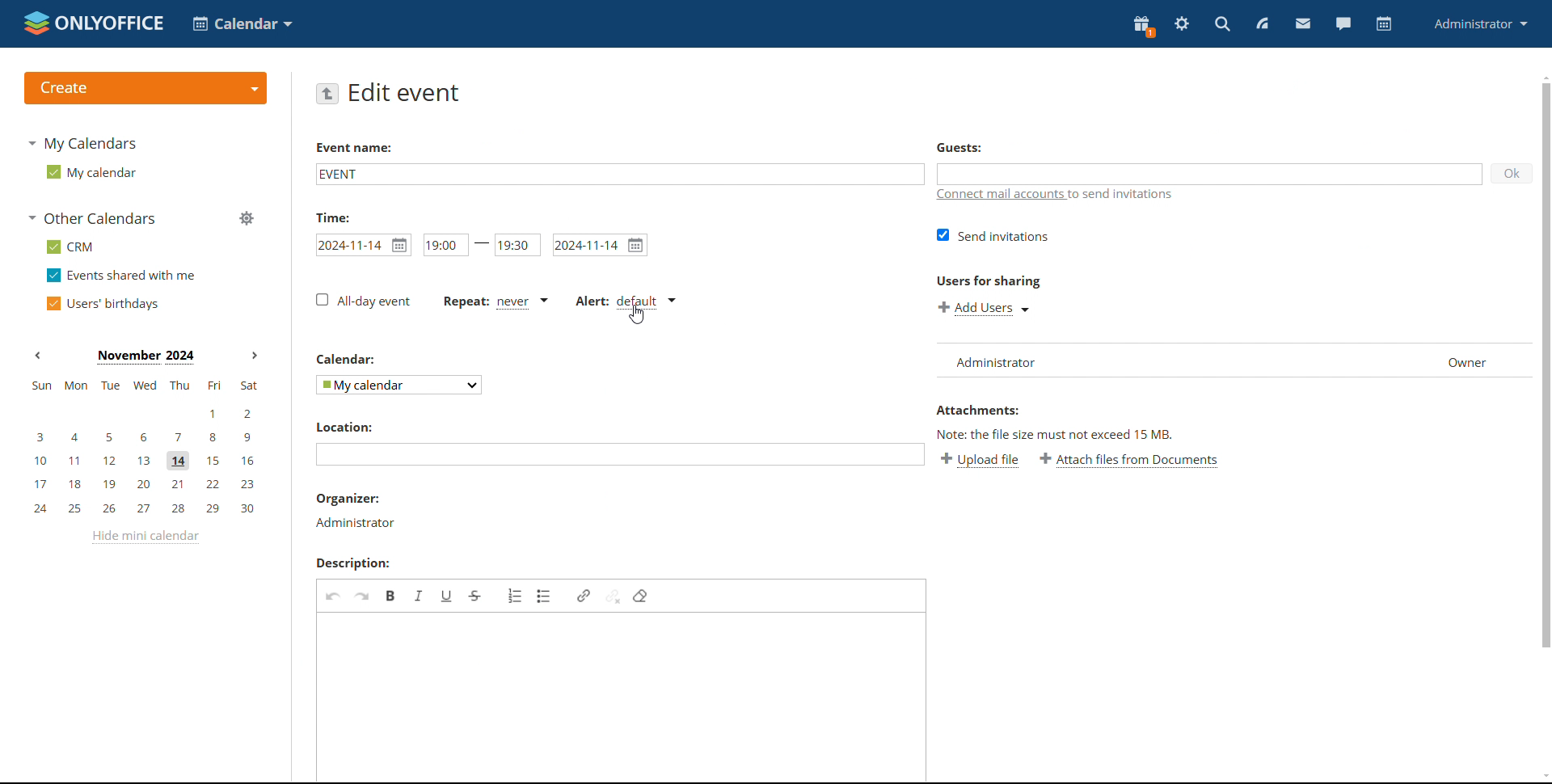 The width and height of the screenshot is (1552, 784). Describe the element at coordinates (482, 243) in the screenshot. I see `-` at that location.